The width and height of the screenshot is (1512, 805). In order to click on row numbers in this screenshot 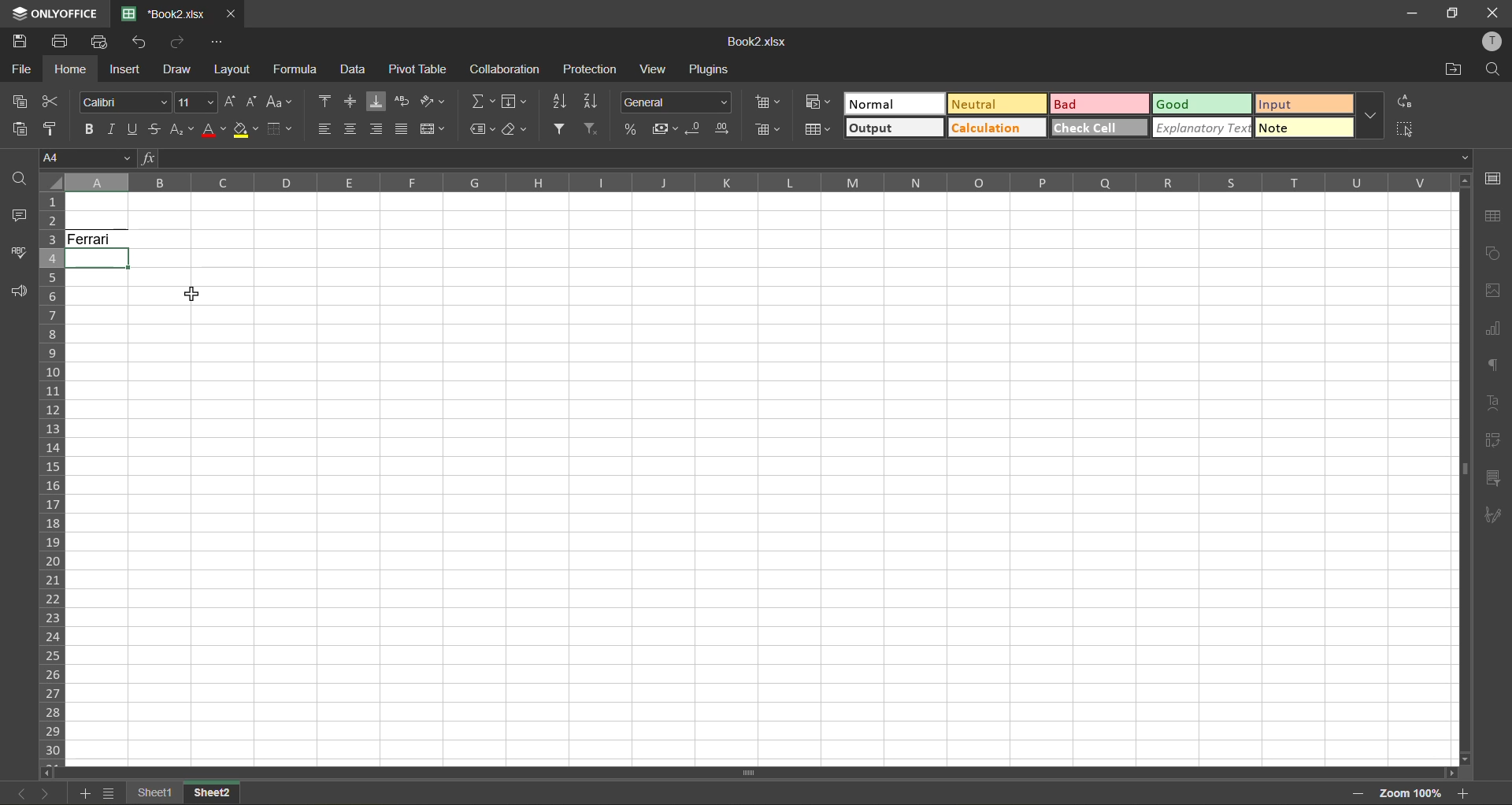, I will do `click(52, 476)`.